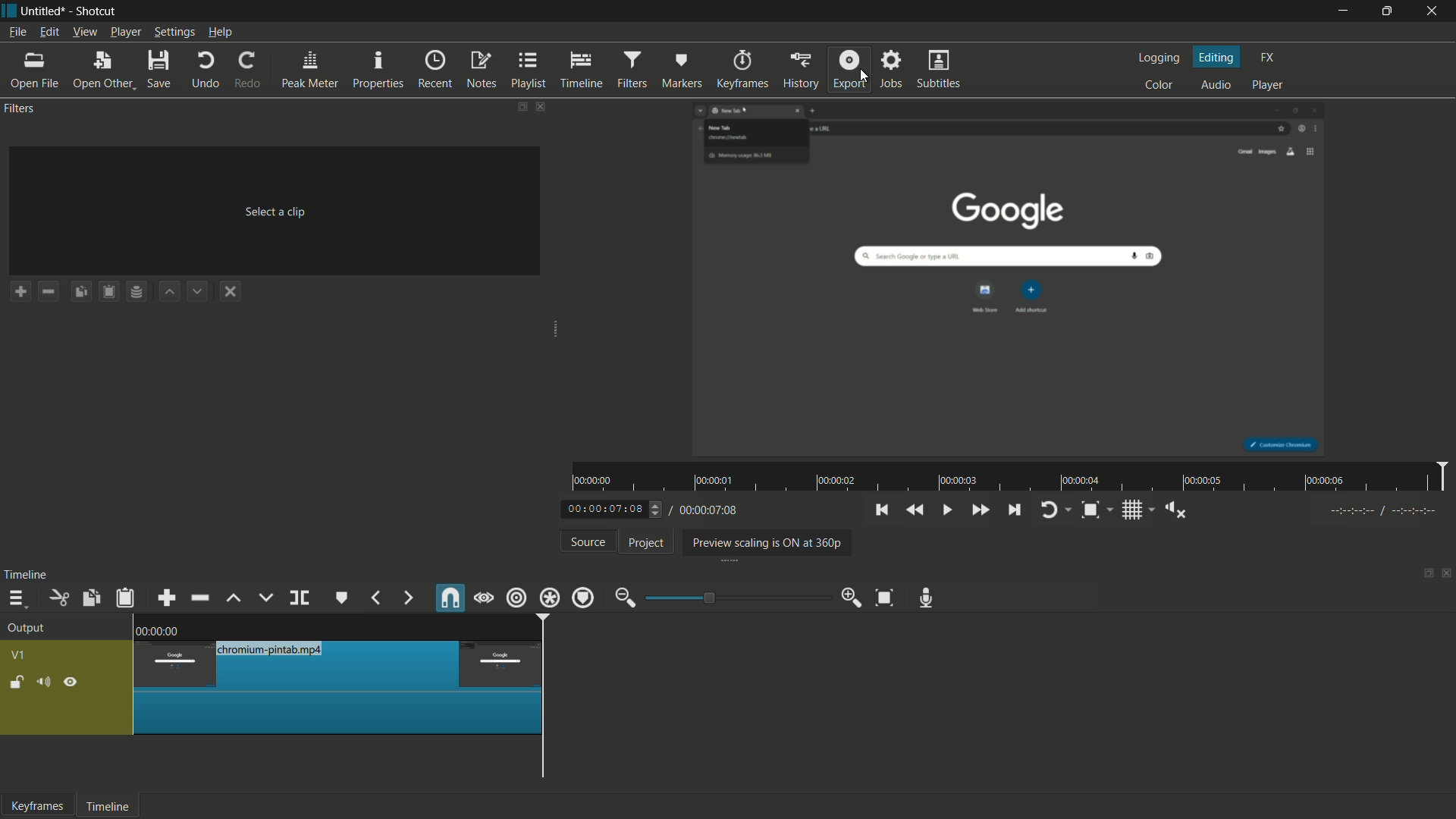  Describe the element at coordinates (265, 598) in the screenshot. I see `overwrite` at that location.